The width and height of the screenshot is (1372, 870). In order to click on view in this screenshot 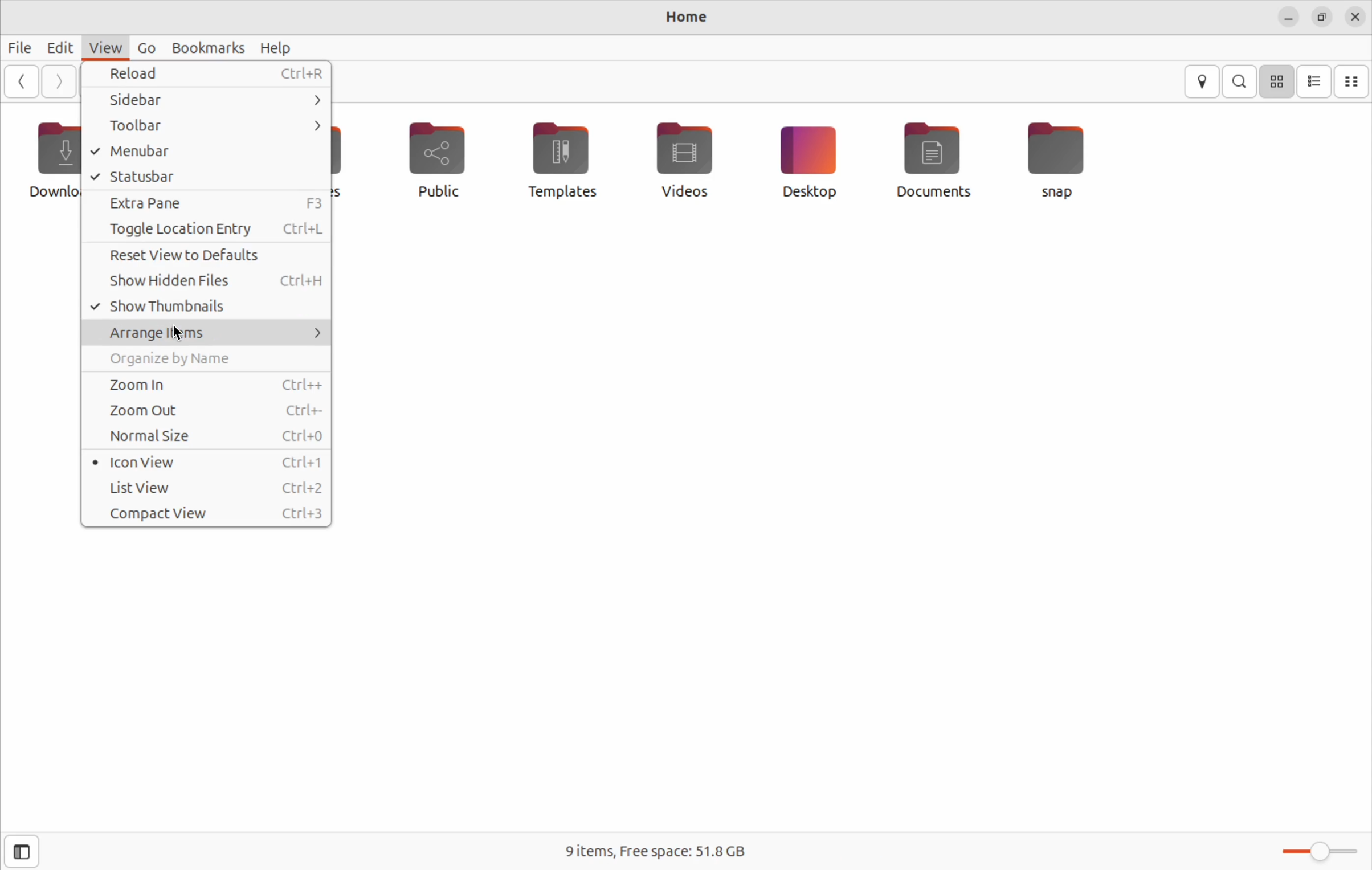, I will do `click(101, 47)`.